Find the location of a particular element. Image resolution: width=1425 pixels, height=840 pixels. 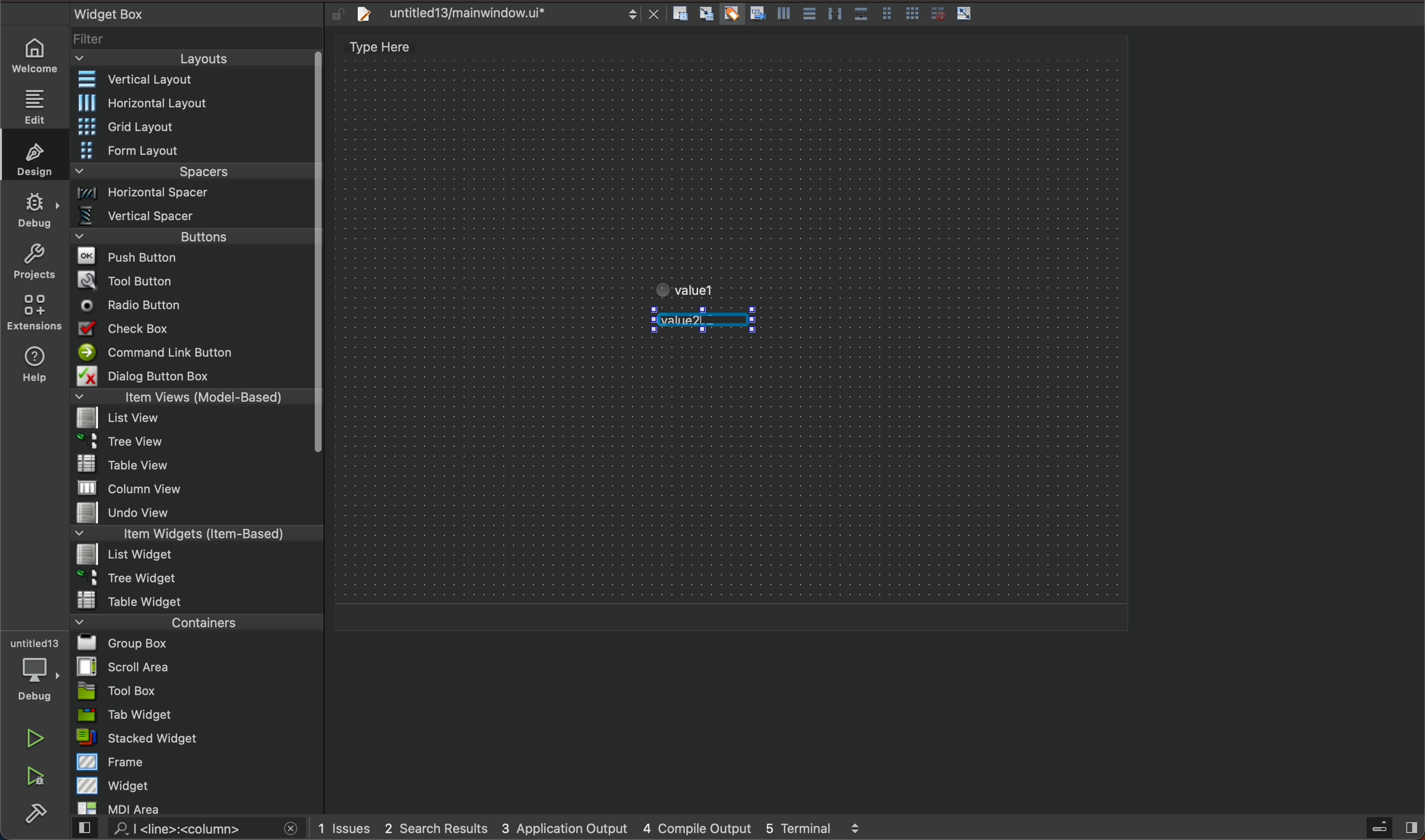

table view is located at coordinates (197, 465).